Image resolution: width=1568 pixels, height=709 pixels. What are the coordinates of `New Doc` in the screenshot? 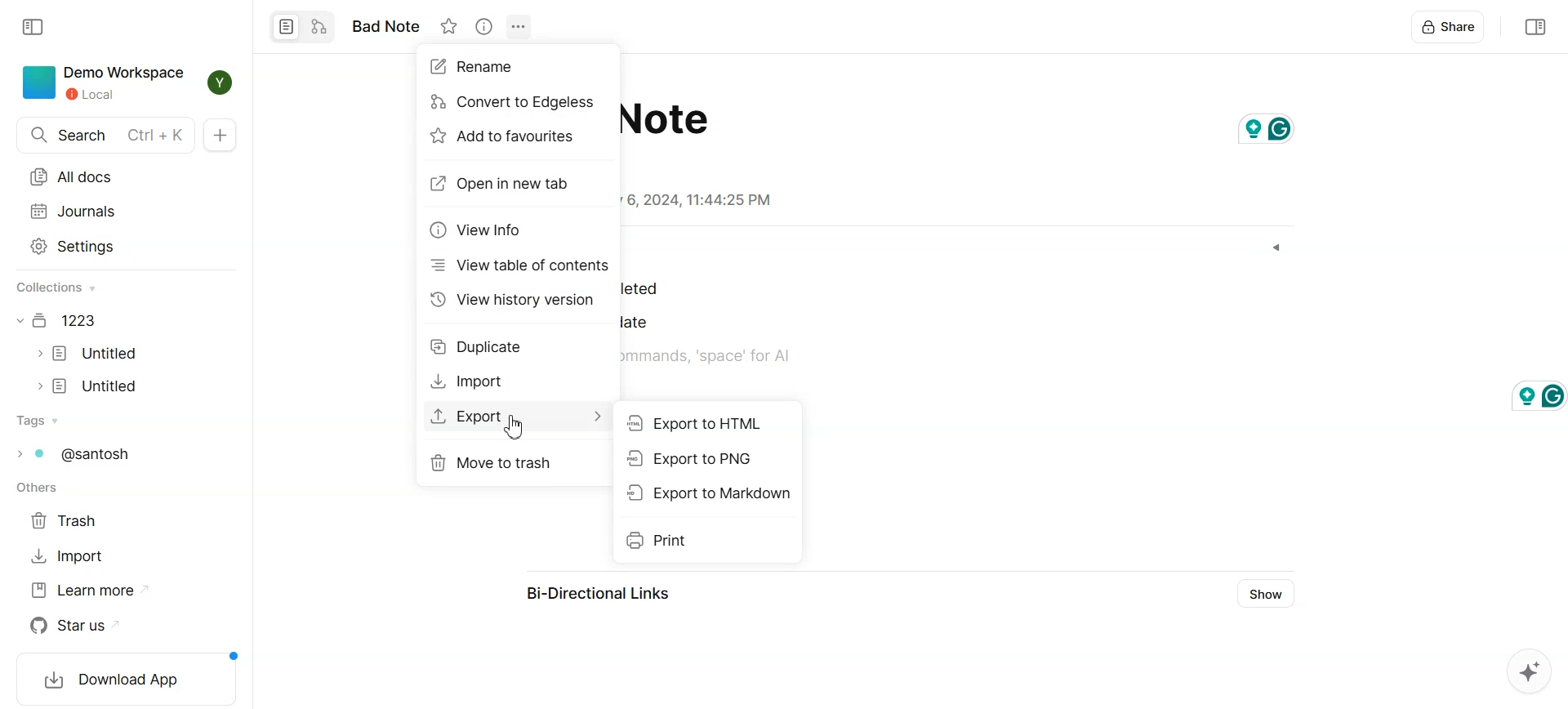 It's located at (221, 136).